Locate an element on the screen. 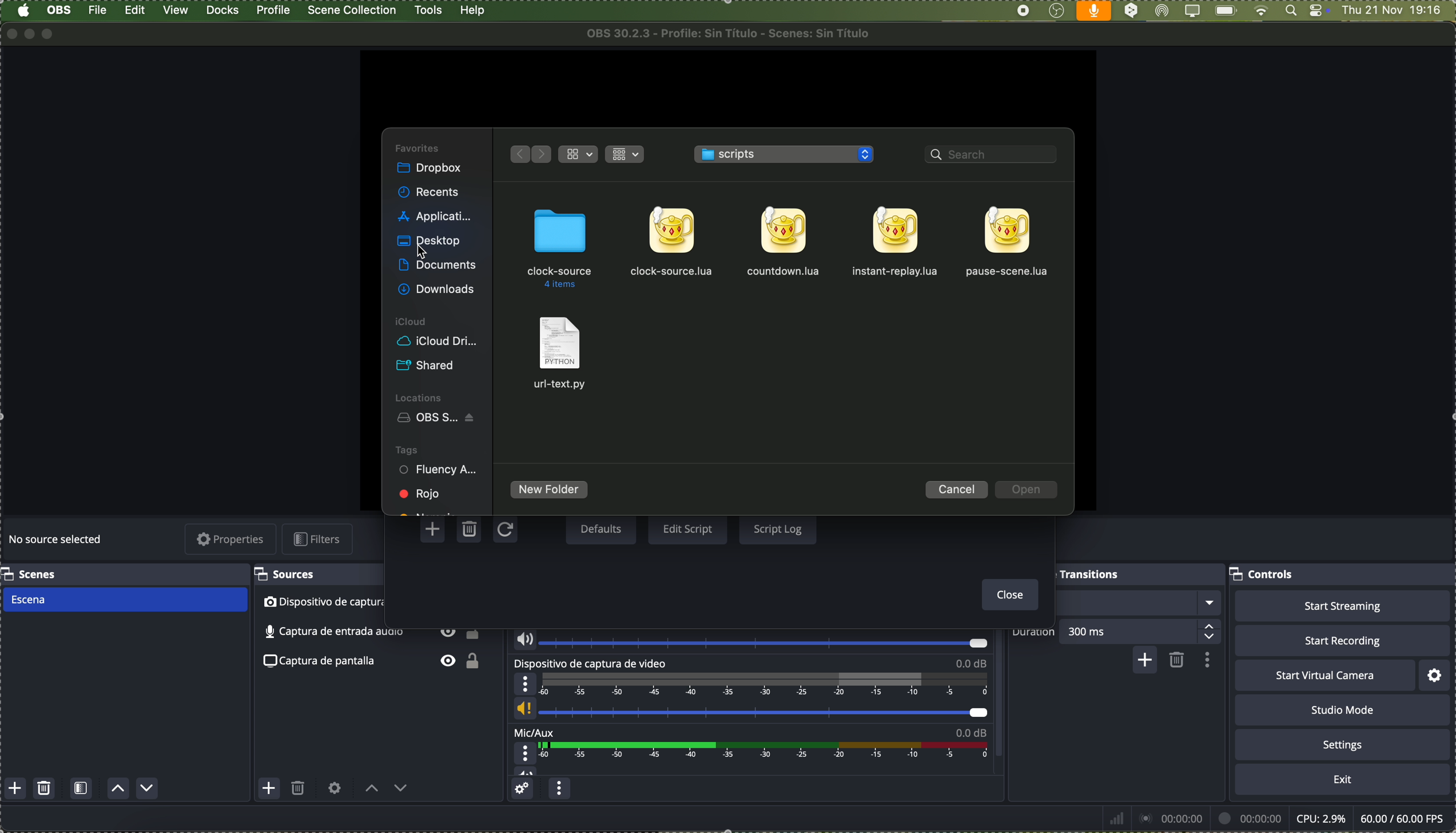 The width and height of the screenshot is (1456, 833). profile is located at coordinates (272, 10).